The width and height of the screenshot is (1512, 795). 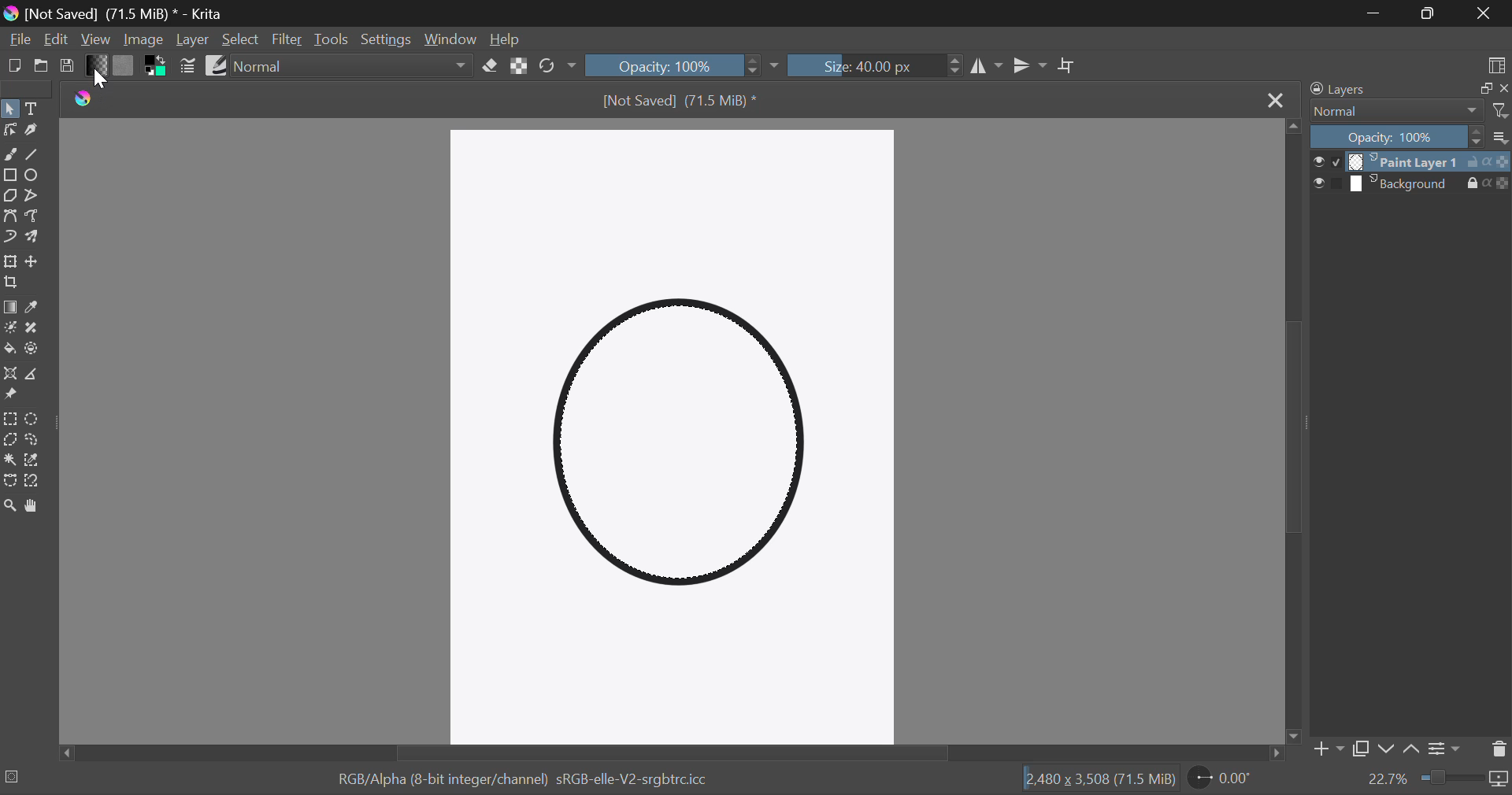 What do you see at coordinates (1032, 68) in the screenshot?
I see `Horizontal Mirror Flip` at bounding box center [1032, 68].